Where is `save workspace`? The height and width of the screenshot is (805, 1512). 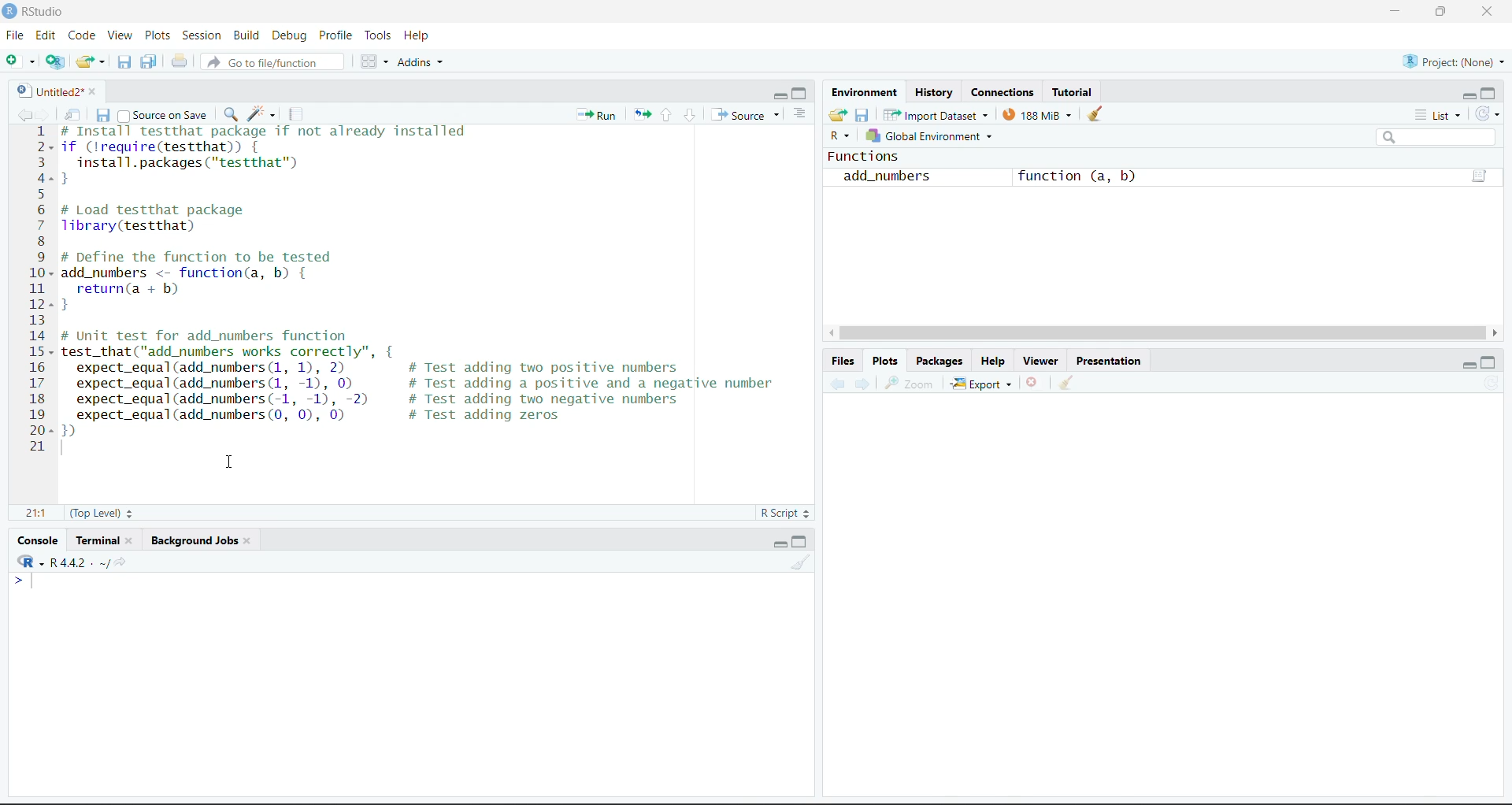 save workspace is located at coordinates (863, 116).